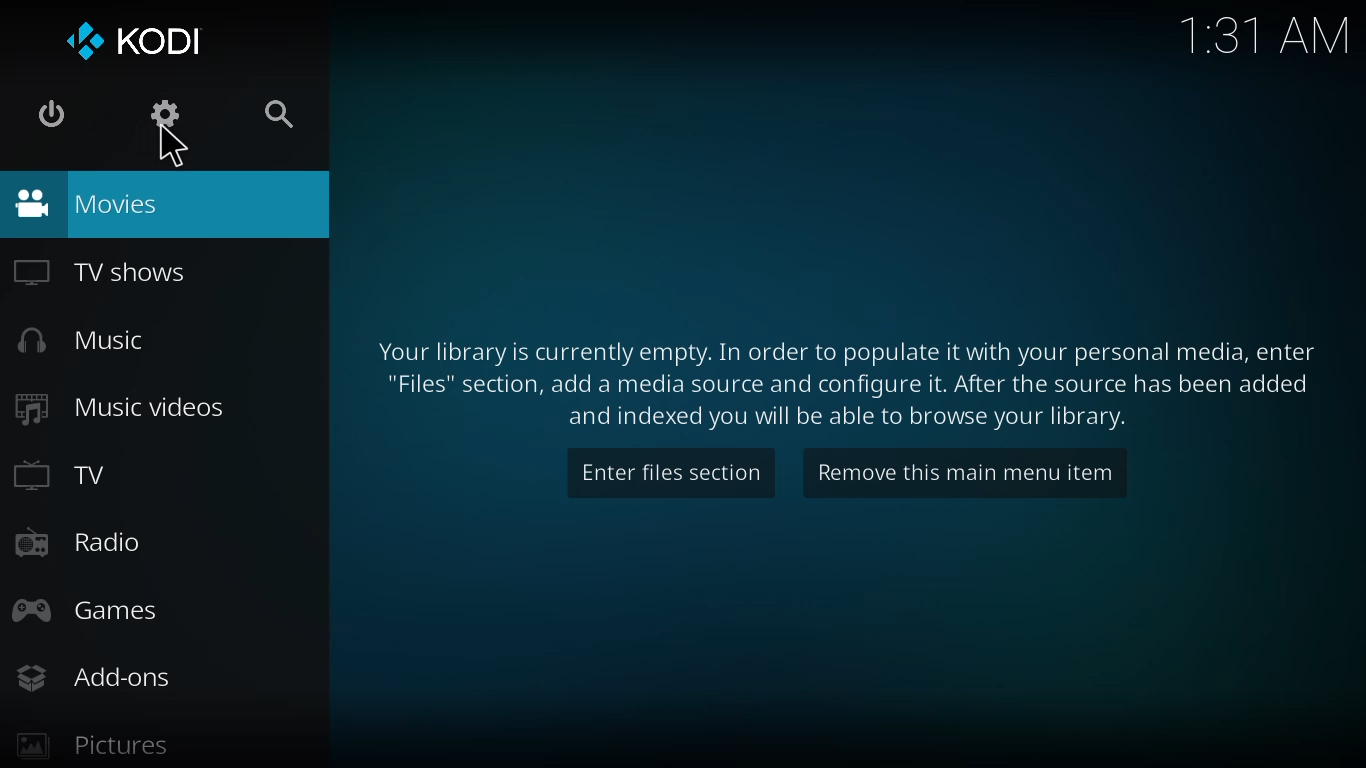 The image size is (1366, 768). What do you see at coordinates (91, 746) in the screenshot?
I see `pictures` at bounding box center [91, 746].